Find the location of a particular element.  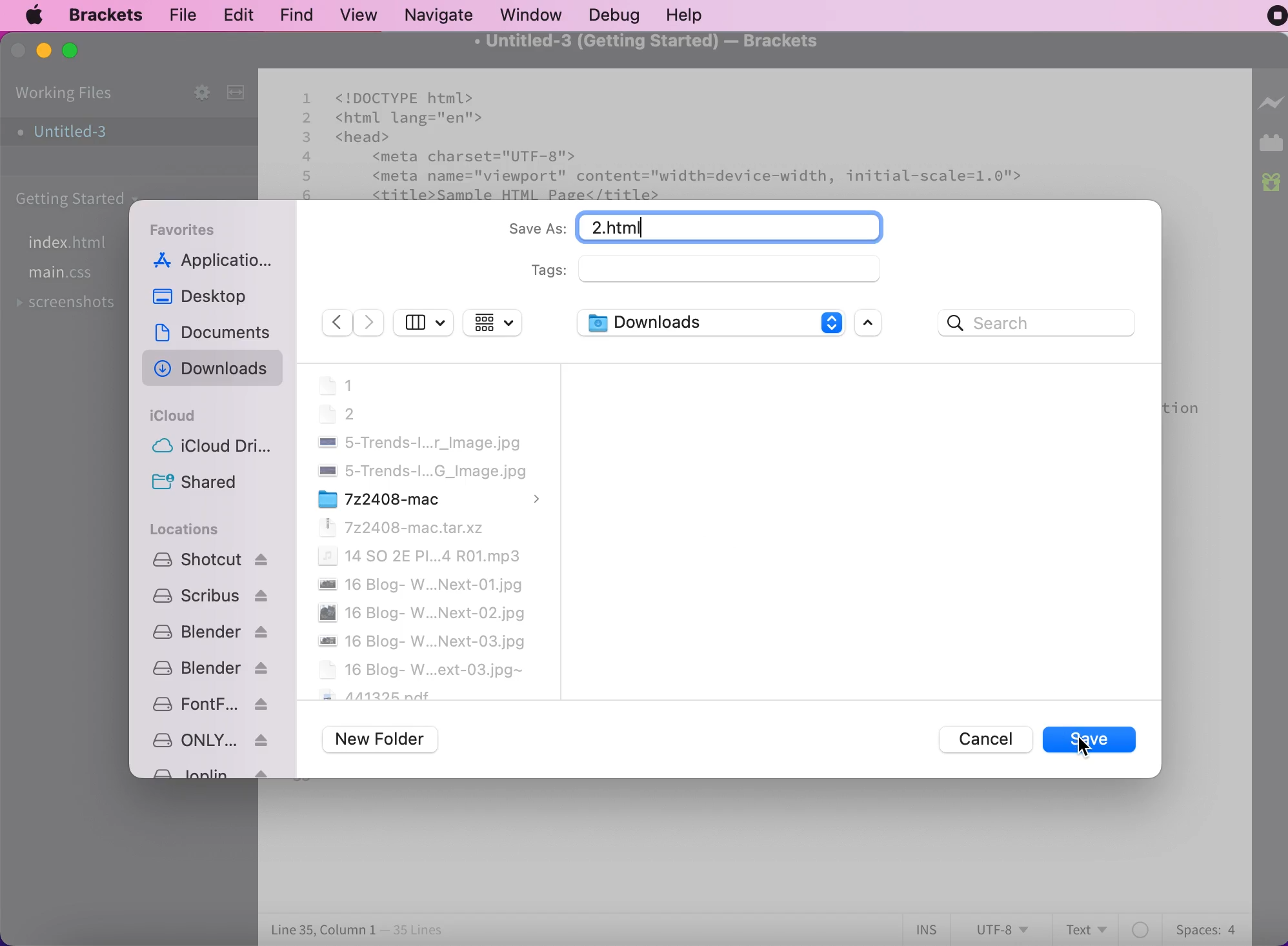

brackets is located at coordinates (108, 14).